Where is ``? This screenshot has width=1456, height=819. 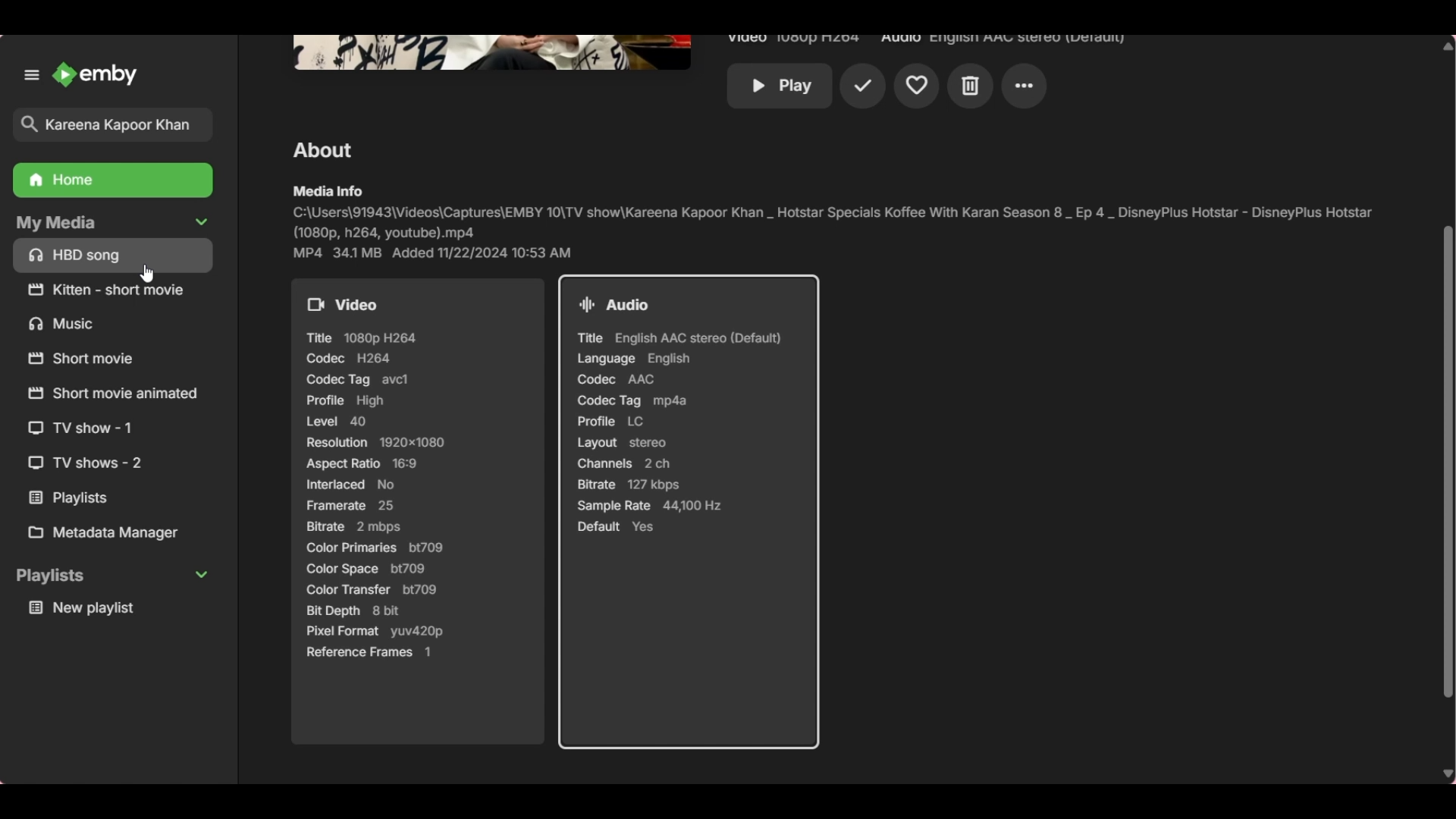
 is located at coordinates (104, 359).